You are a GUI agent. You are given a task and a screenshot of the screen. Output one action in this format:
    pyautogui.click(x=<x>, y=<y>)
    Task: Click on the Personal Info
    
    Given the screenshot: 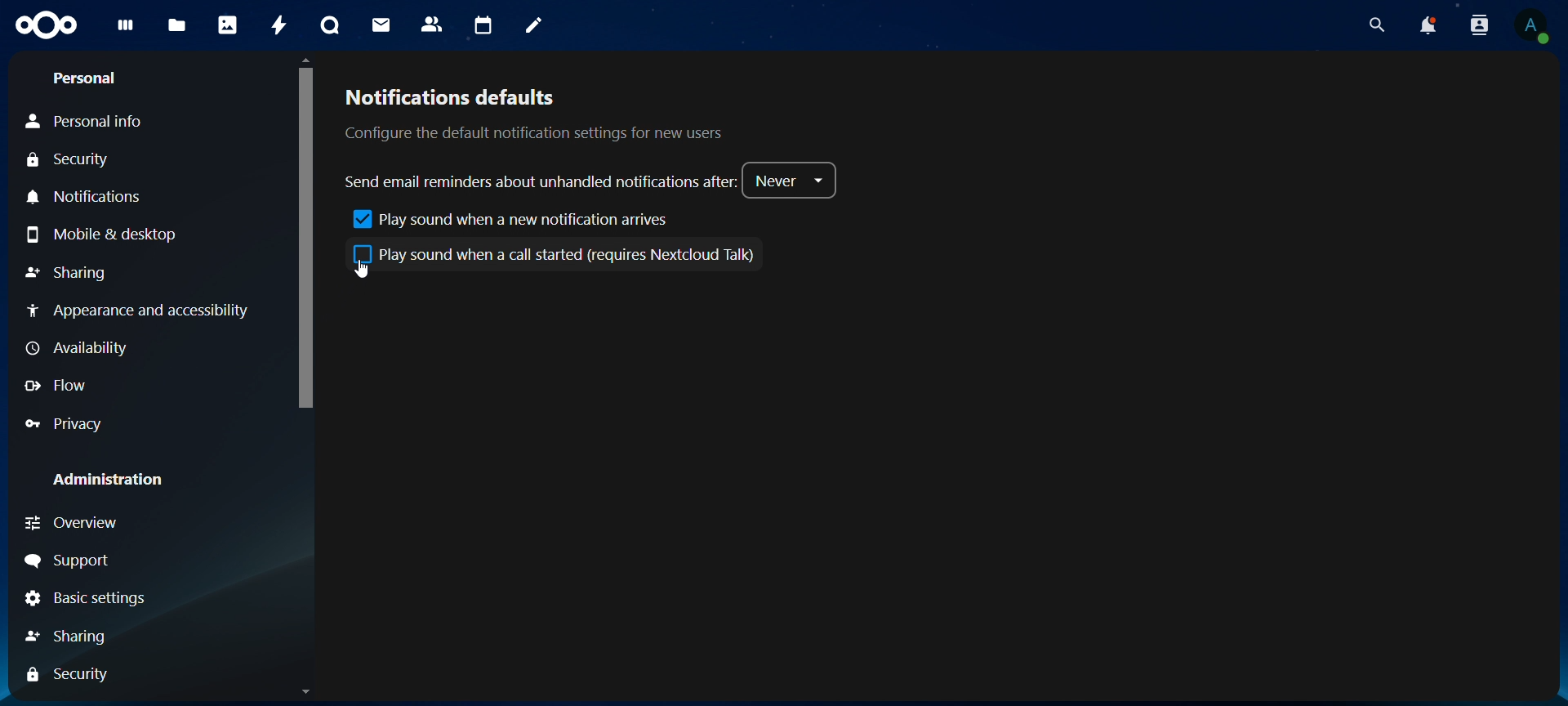 What is the action you would take?
    pyautogui.click(x=80, y=120)
    